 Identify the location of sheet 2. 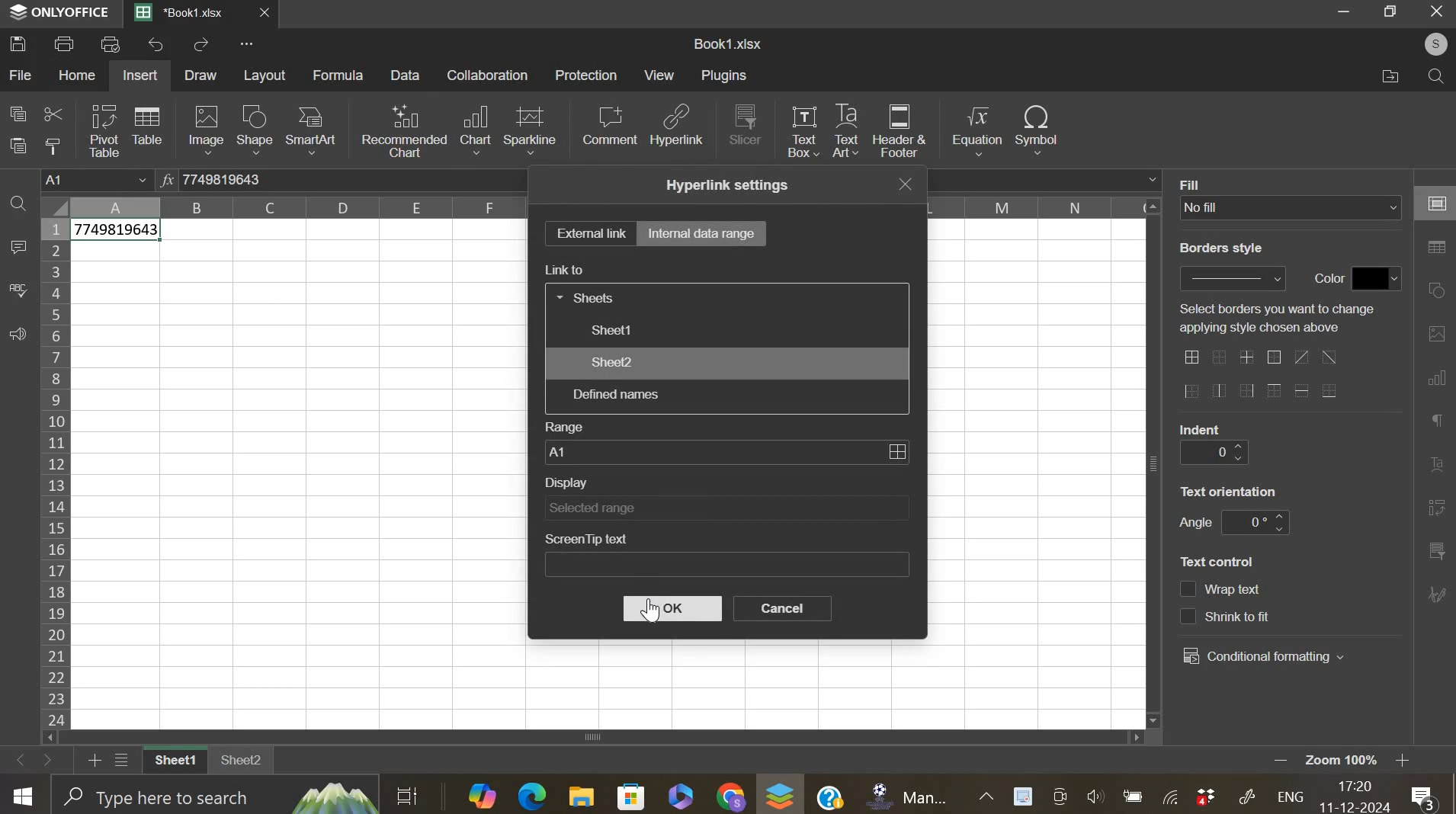
(611, 362).